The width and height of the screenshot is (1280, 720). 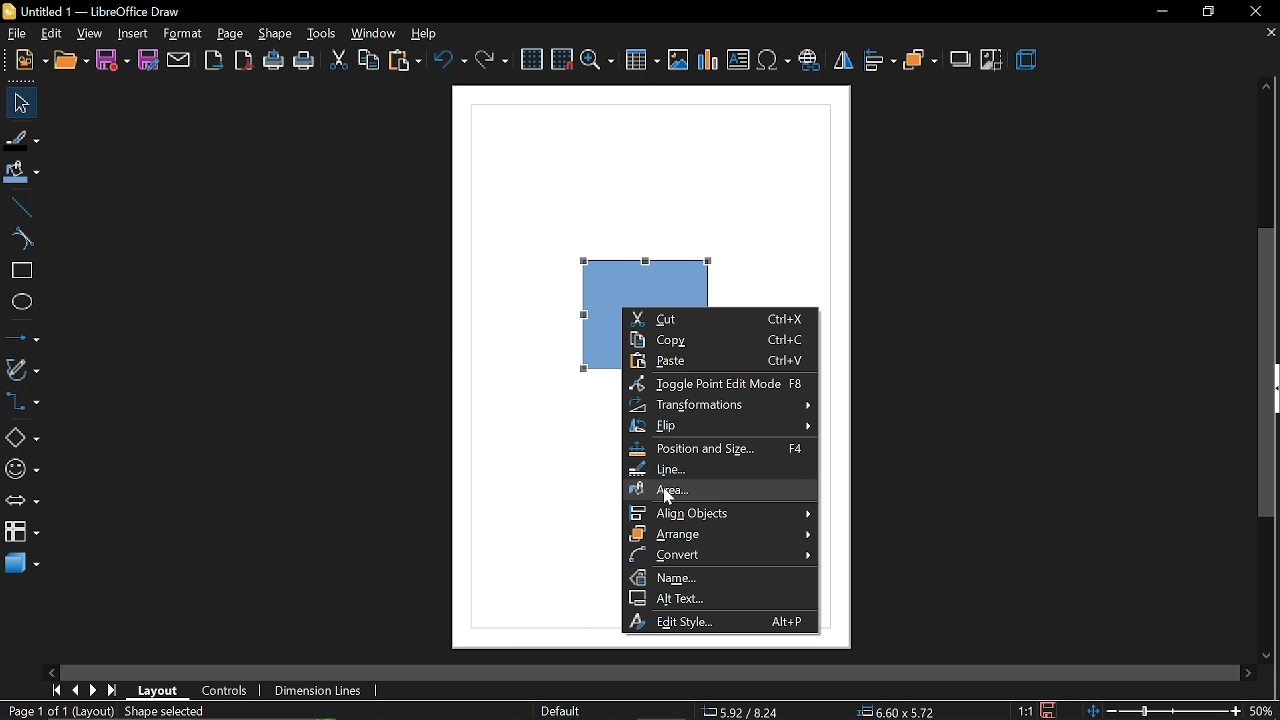 I want to click on select, so click(x=21, y=103).